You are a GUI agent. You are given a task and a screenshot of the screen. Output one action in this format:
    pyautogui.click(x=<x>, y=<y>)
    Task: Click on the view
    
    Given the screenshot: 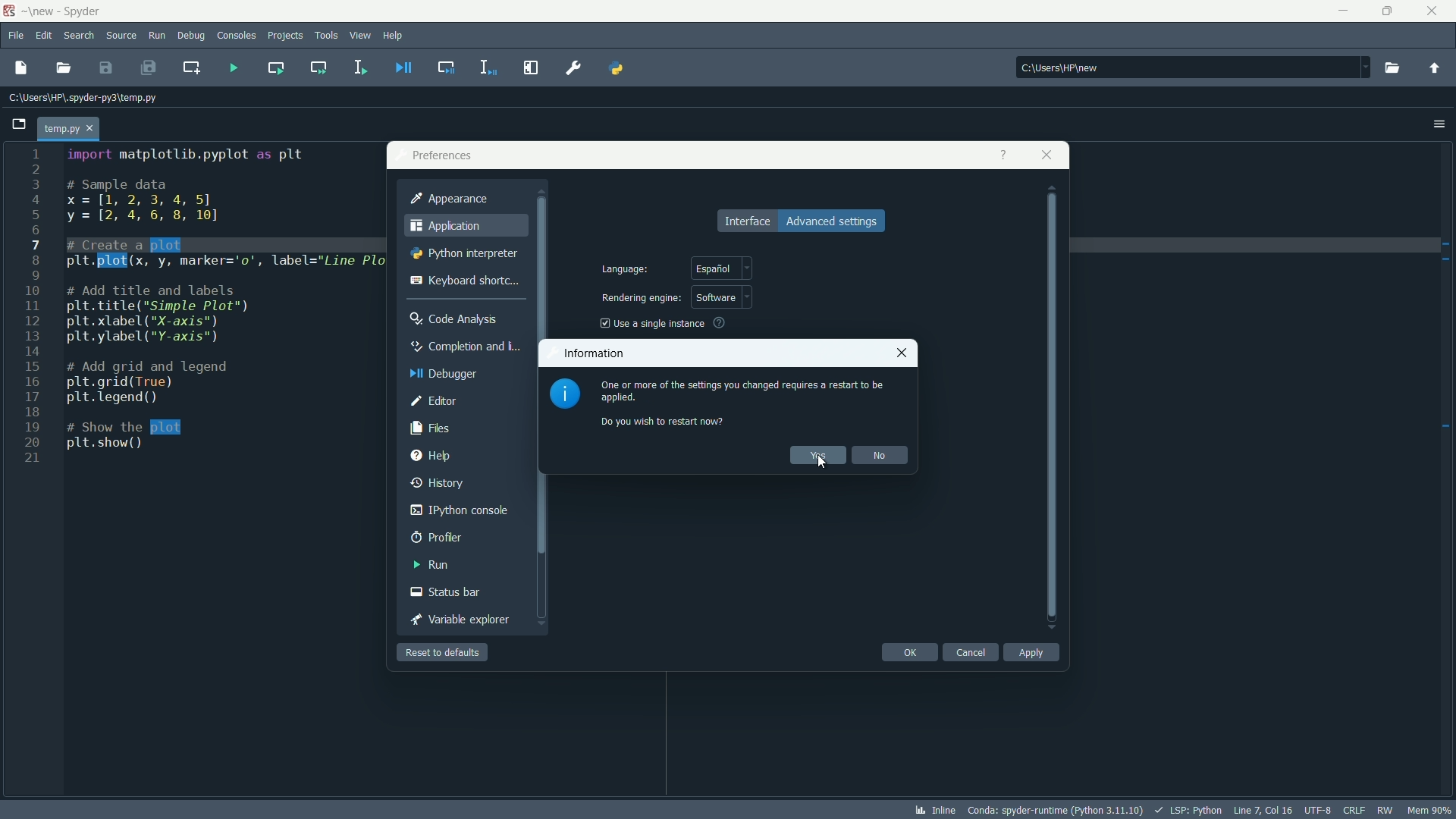 What is the action you would take?
    pyautogui.click(x=359, y=36)
    